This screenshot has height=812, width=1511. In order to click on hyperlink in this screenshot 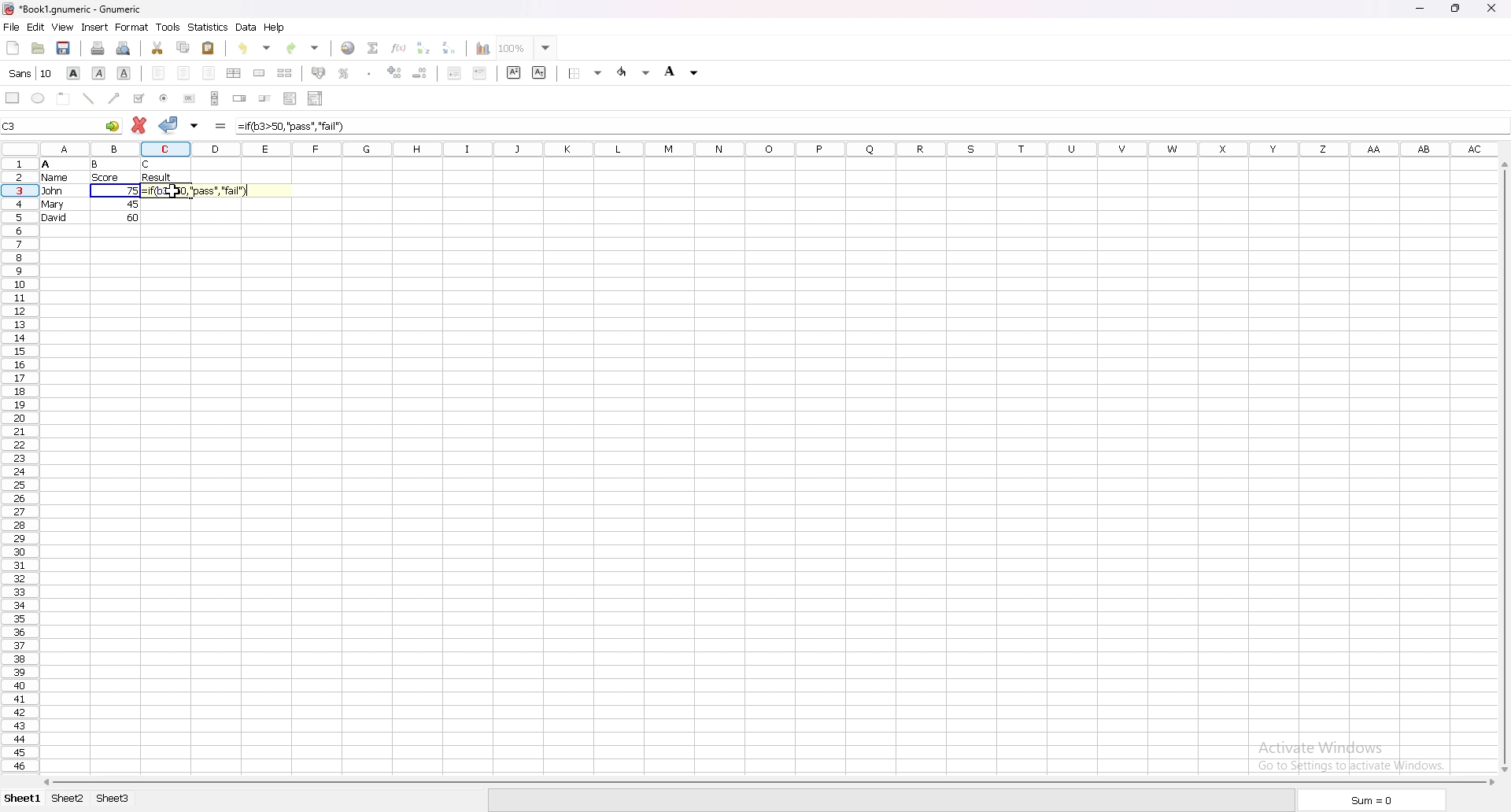, I will do `click(348, 49)`.